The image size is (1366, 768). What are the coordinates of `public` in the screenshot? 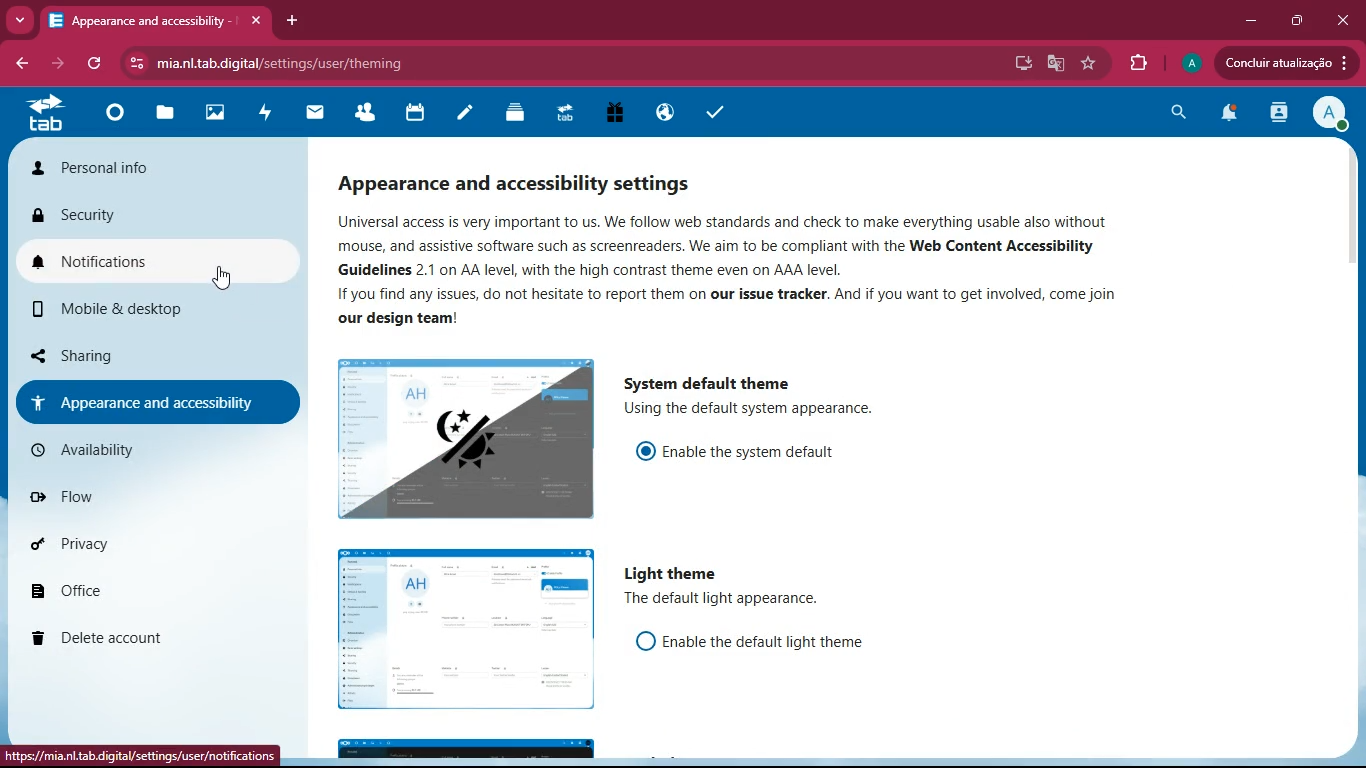 It's located at (665, 110).